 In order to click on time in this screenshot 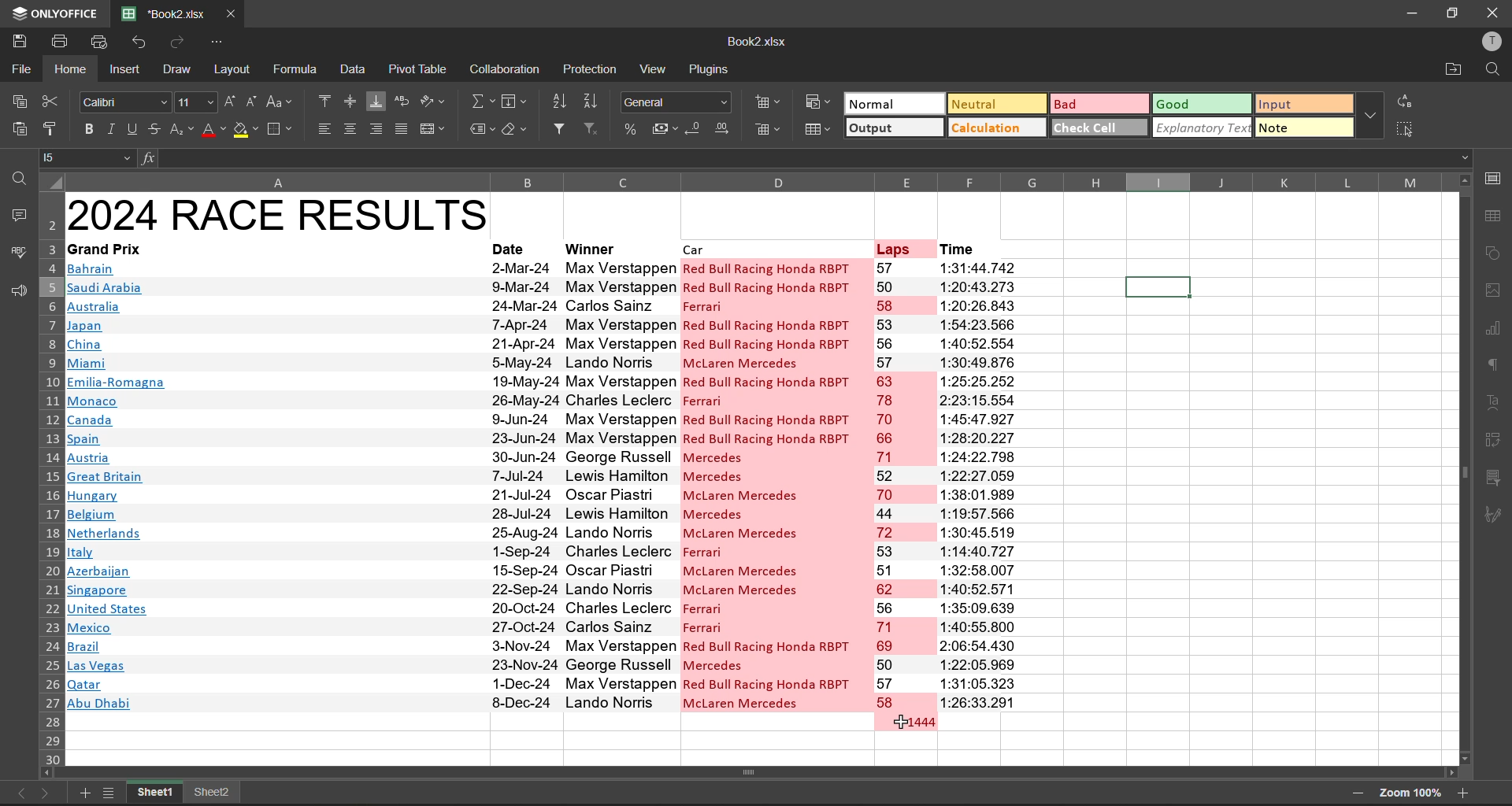, I will do `click(961, 248)`.